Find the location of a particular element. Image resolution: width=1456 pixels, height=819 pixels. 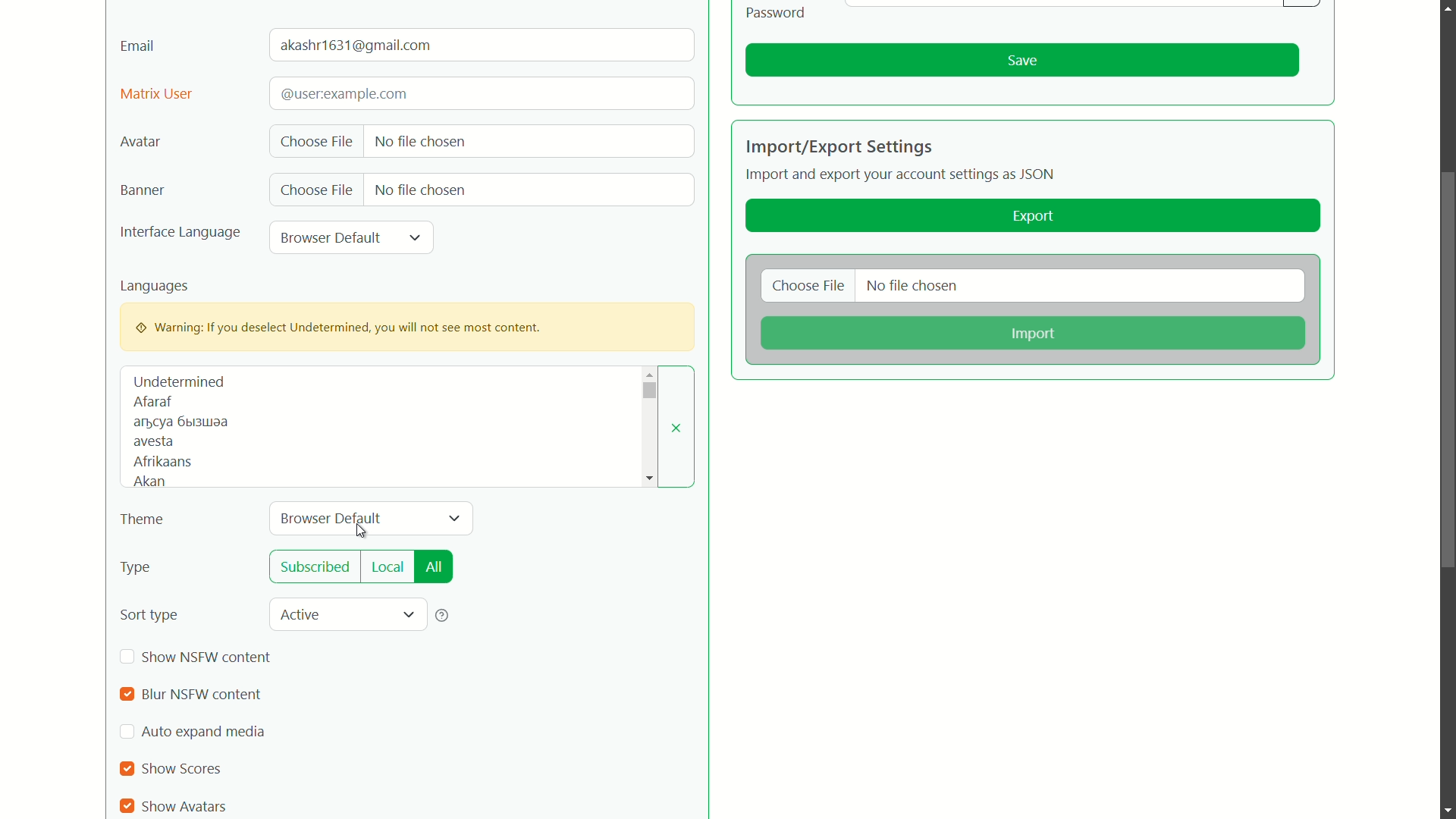

import/export settings is located at coordinates (839, 146).